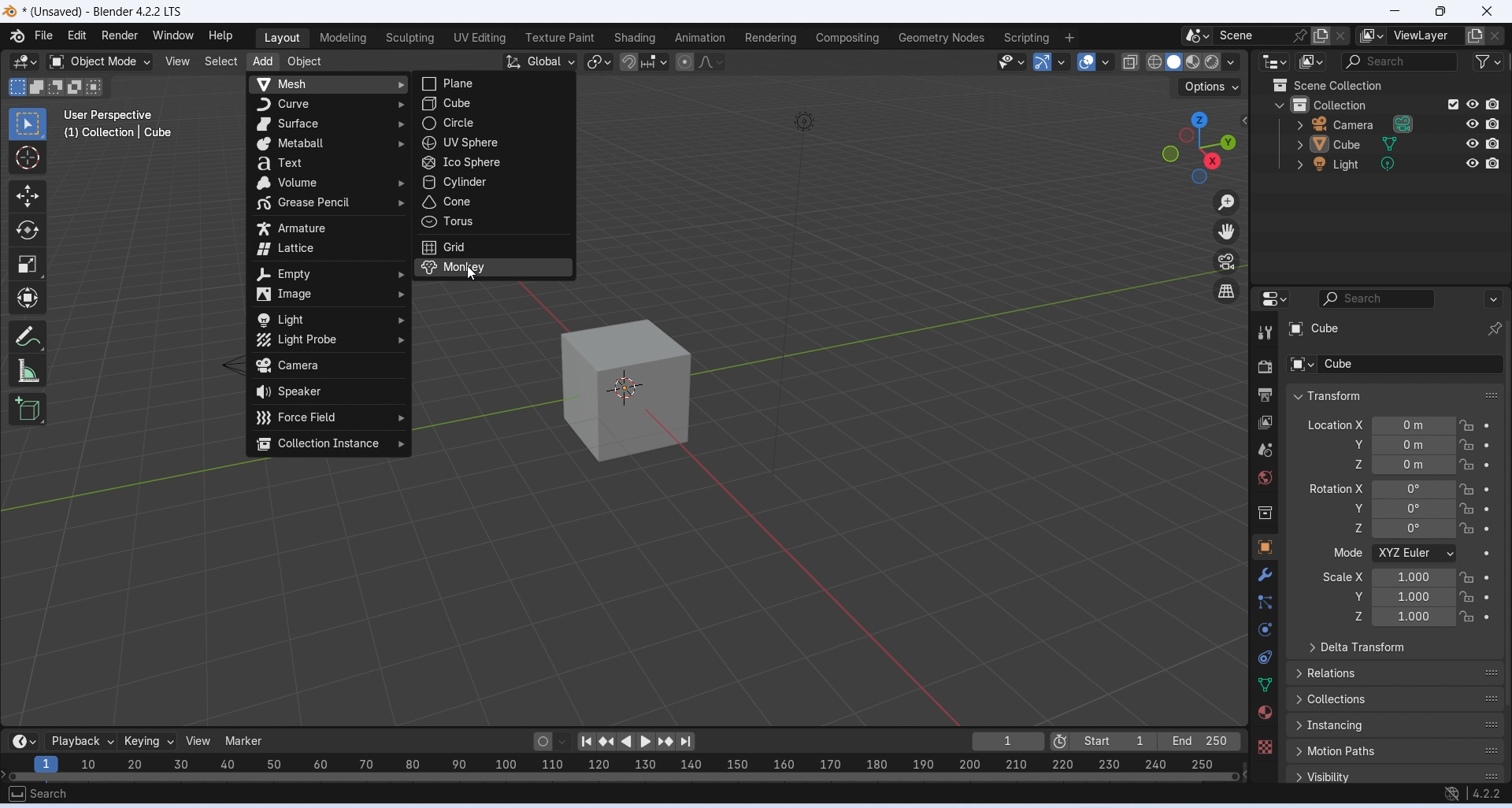 The width and height of the screenshot is (1512, 808). I want to click on UV editing, so click(479, 37).